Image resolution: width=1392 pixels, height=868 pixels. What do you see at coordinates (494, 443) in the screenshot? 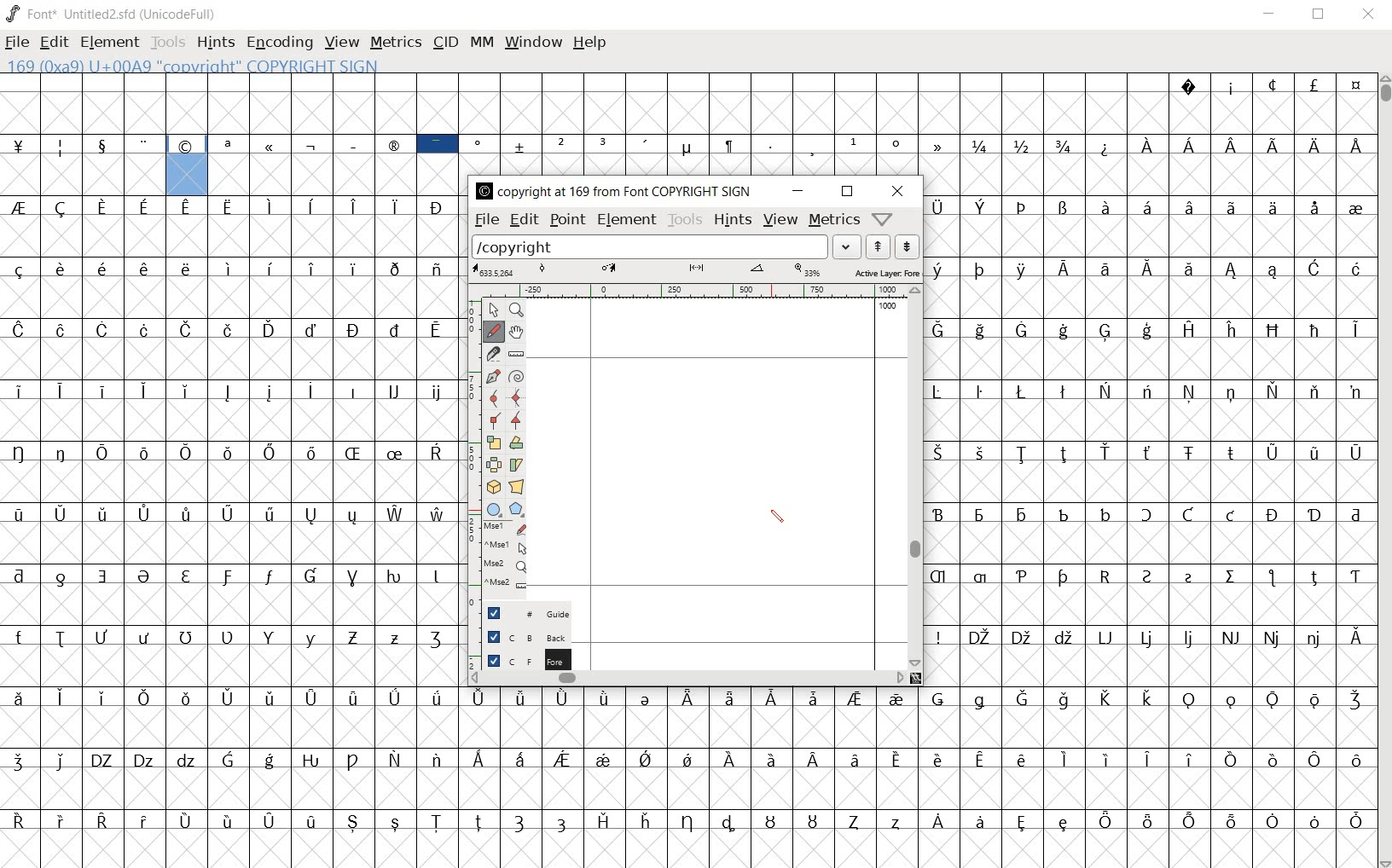
I see `scale the selection` at bounding box center [494, 443].